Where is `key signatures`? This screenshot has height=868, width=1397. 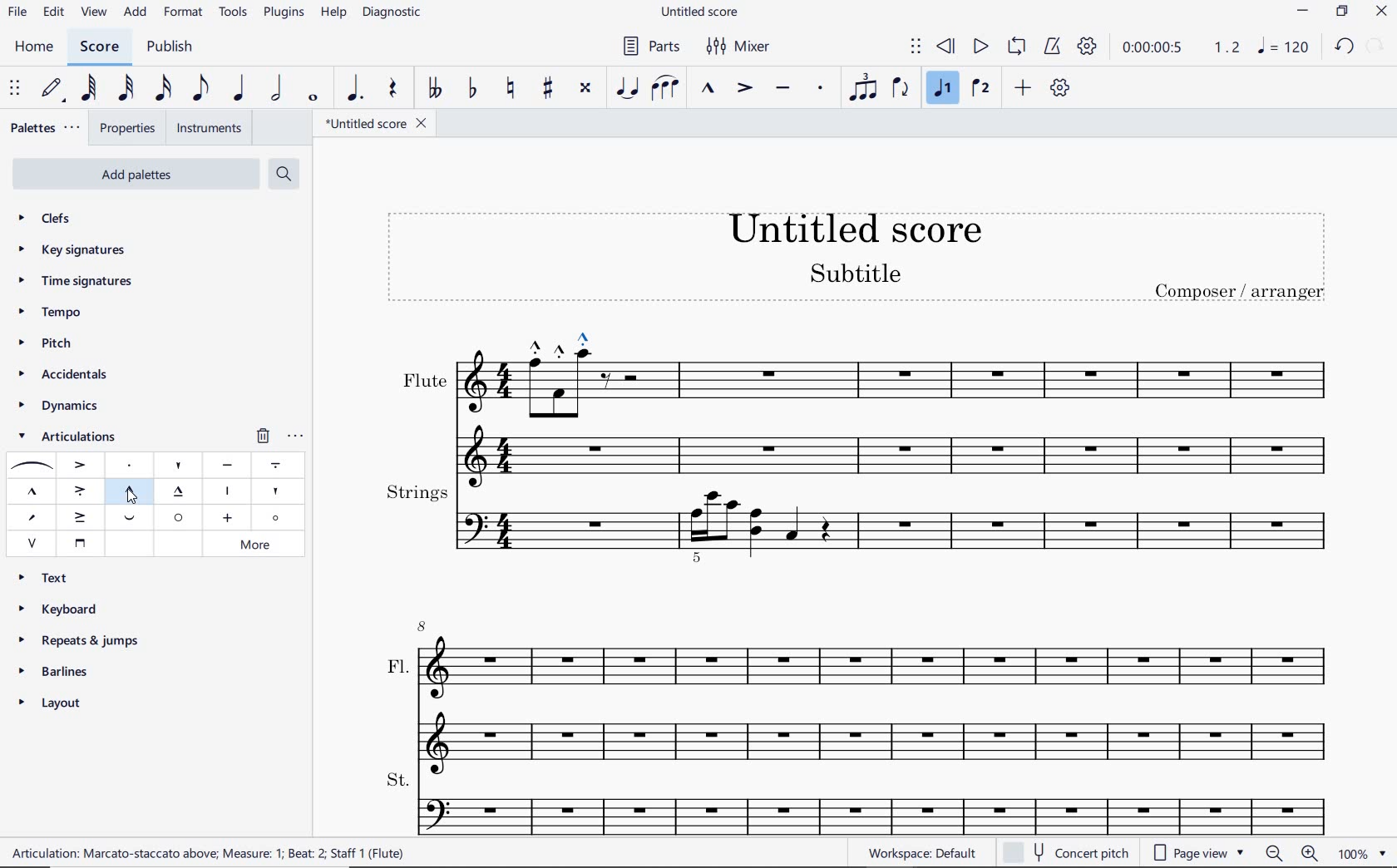 key signatures is located at coordinates (76, 253).